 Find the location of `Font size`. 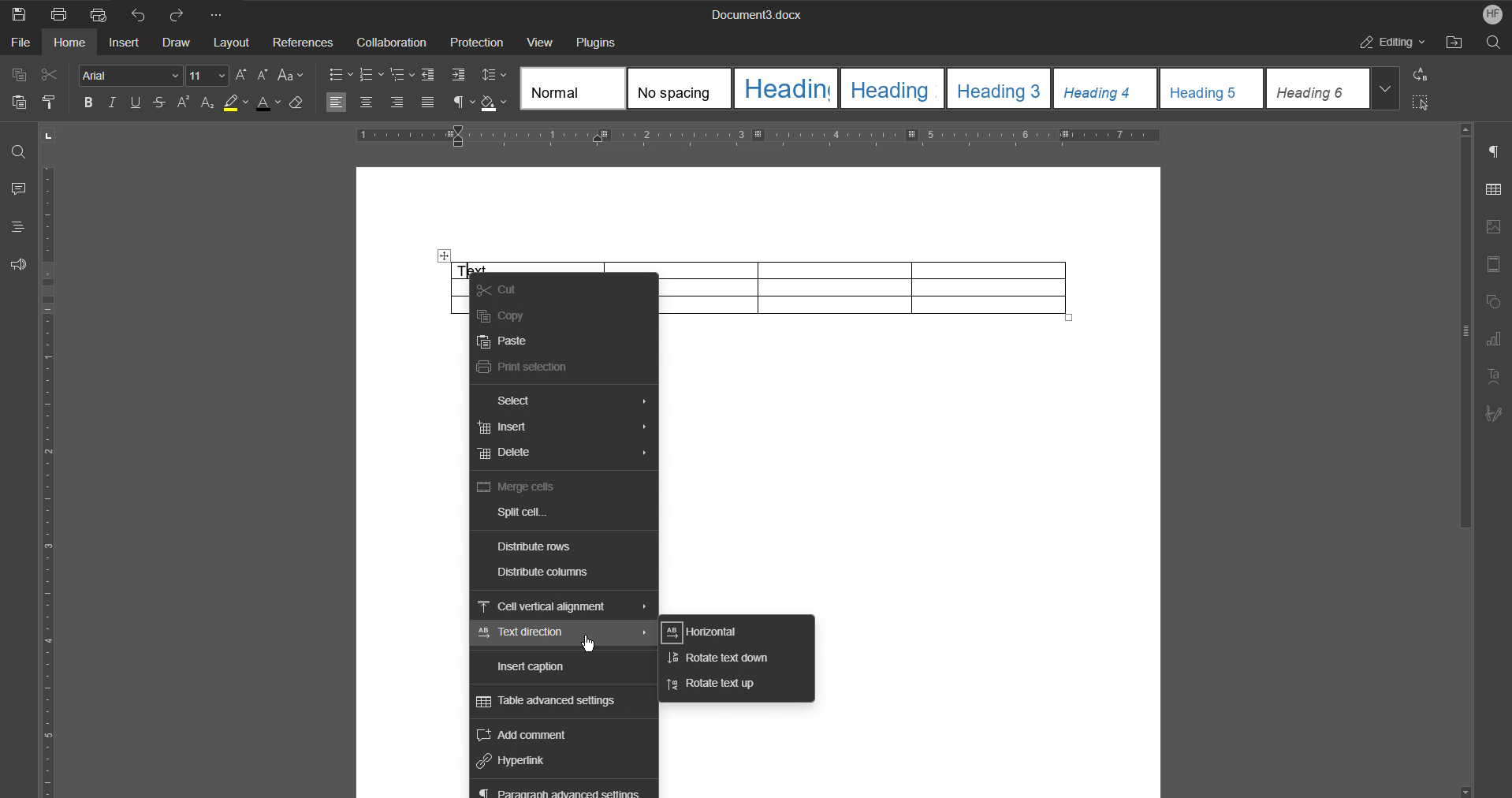

Font size is located at coordinates (254, 77).